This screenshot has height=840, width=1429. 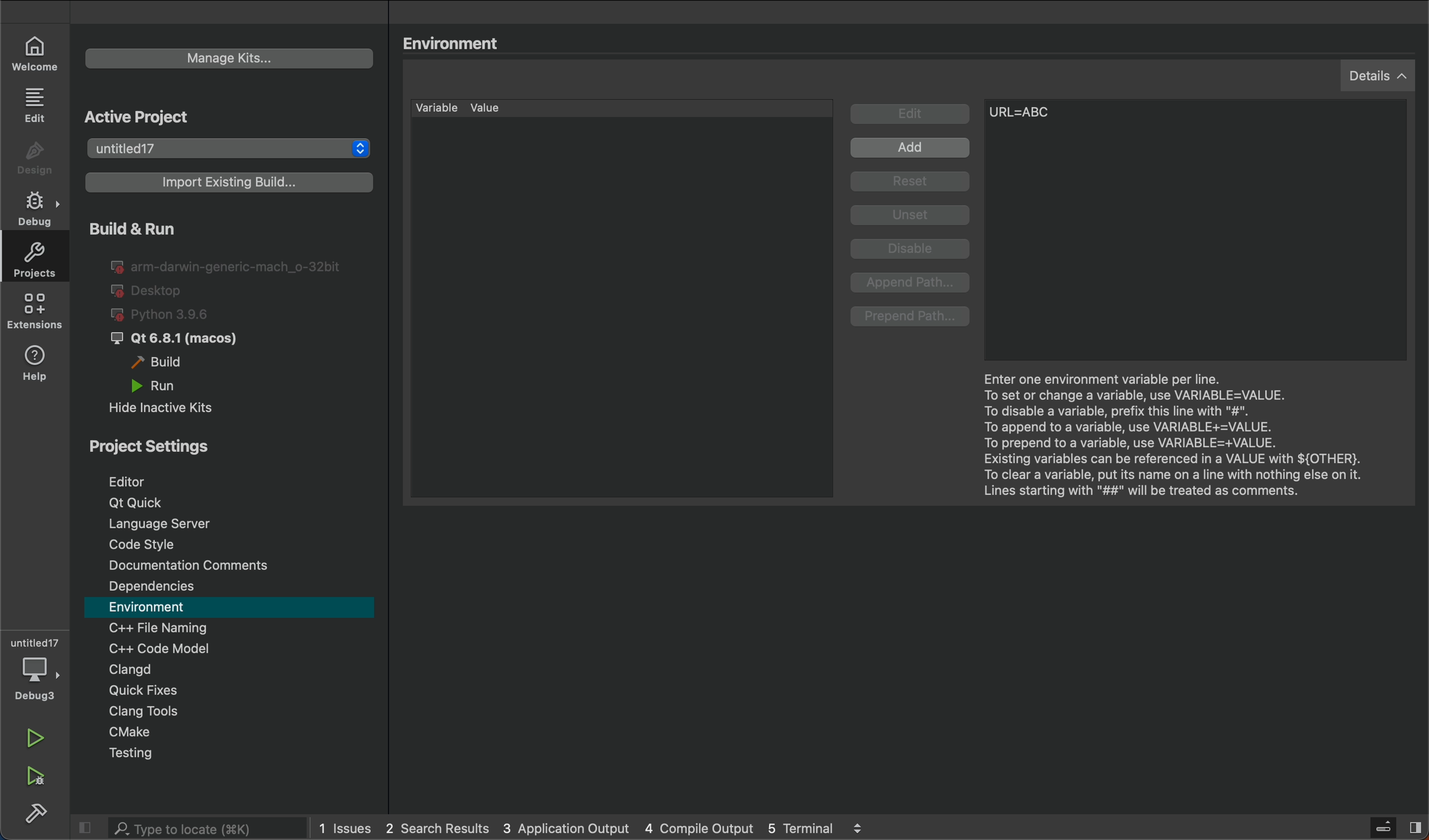 I want to click on code style, so click(x=233, y=542).